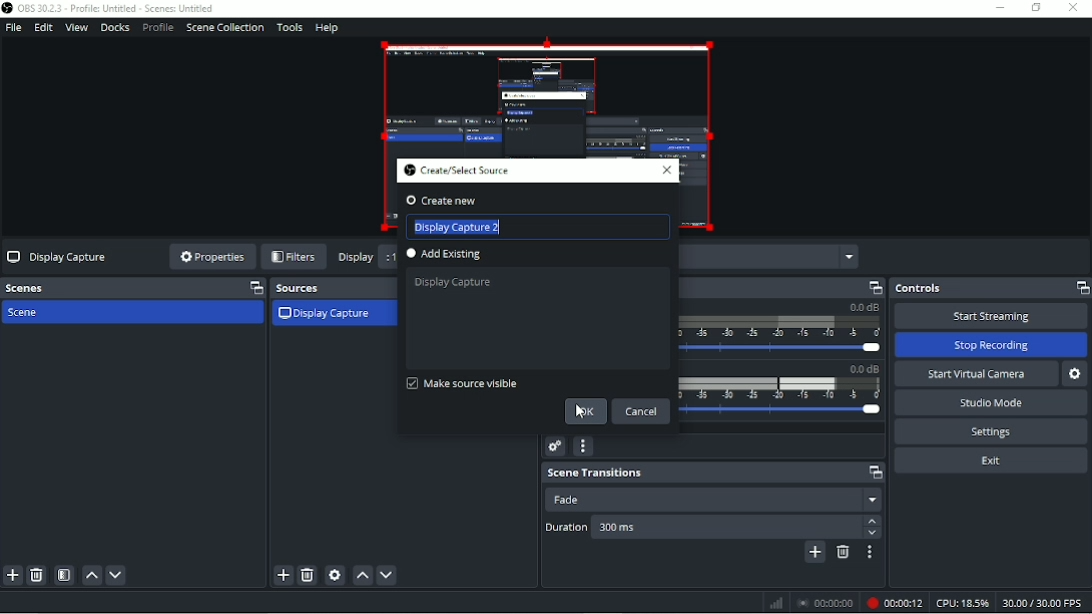 Image resolution: width=1092 pixels, height=614 pixels. Describe the element at coordinates (14, 28) in the screenshot. I see `File` at that location.